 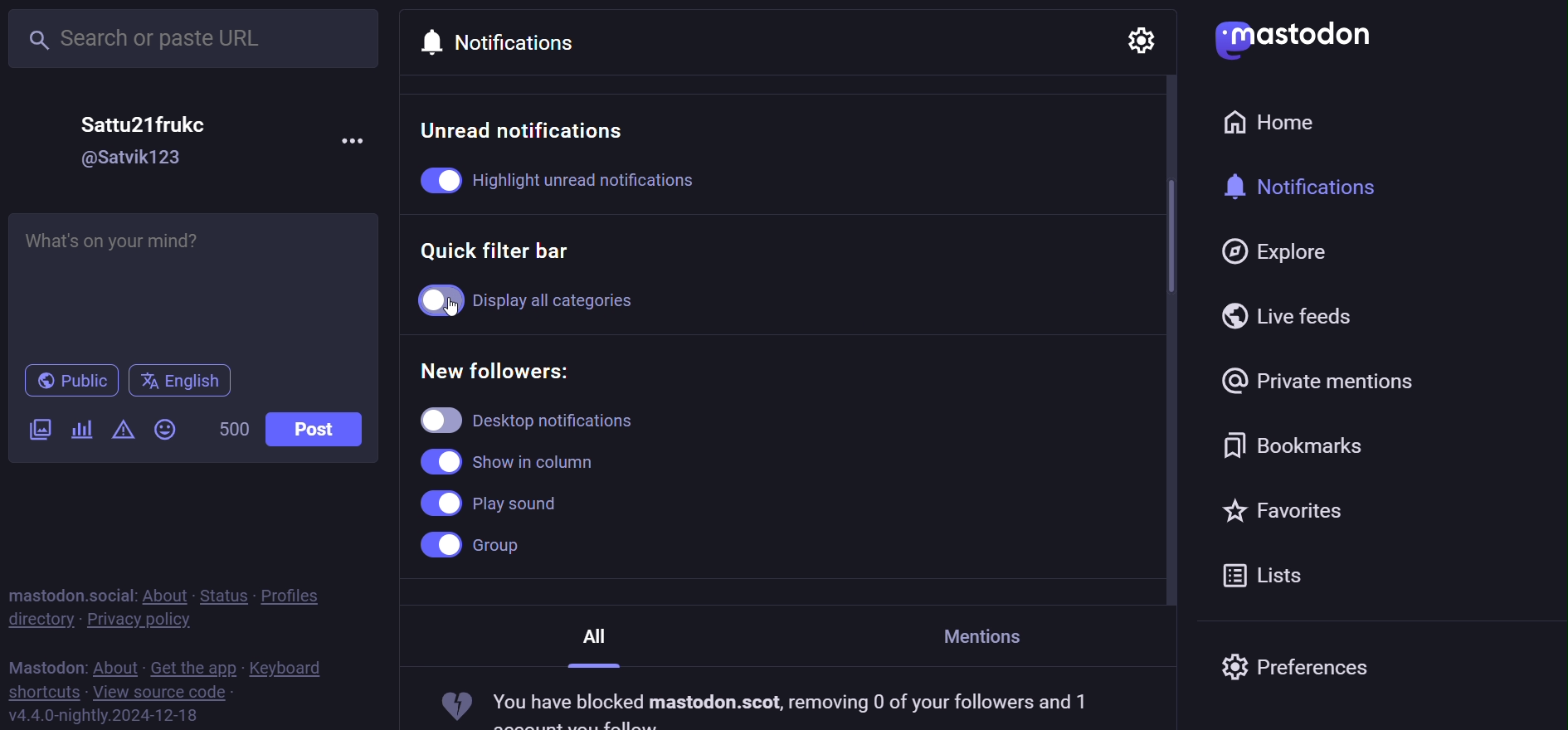 I want to click on Search or paste URL, so click(x=196, y=39).